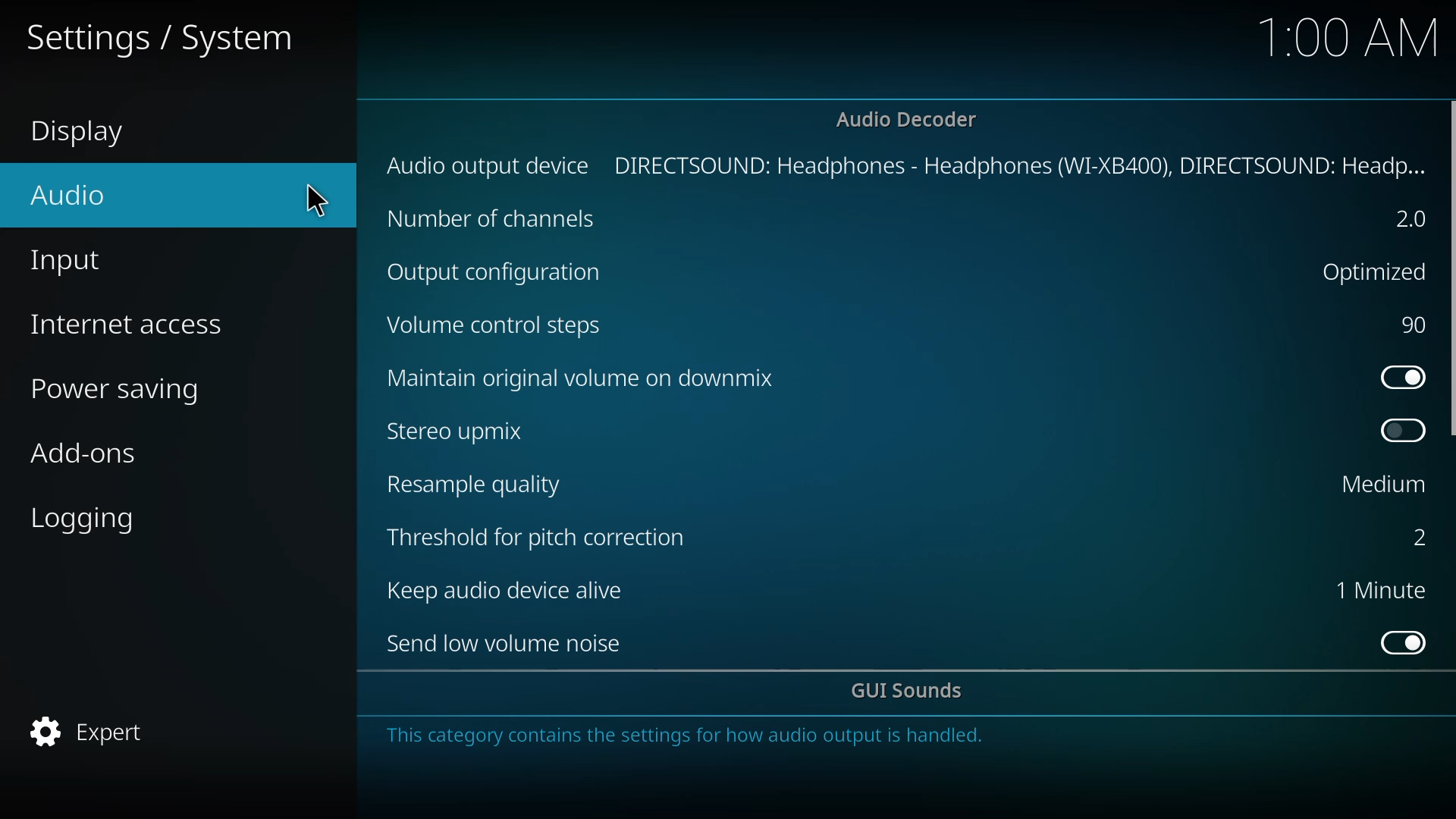 This screenshot has width=1456, height=819. I want to click on 2, so click(1411, 535).